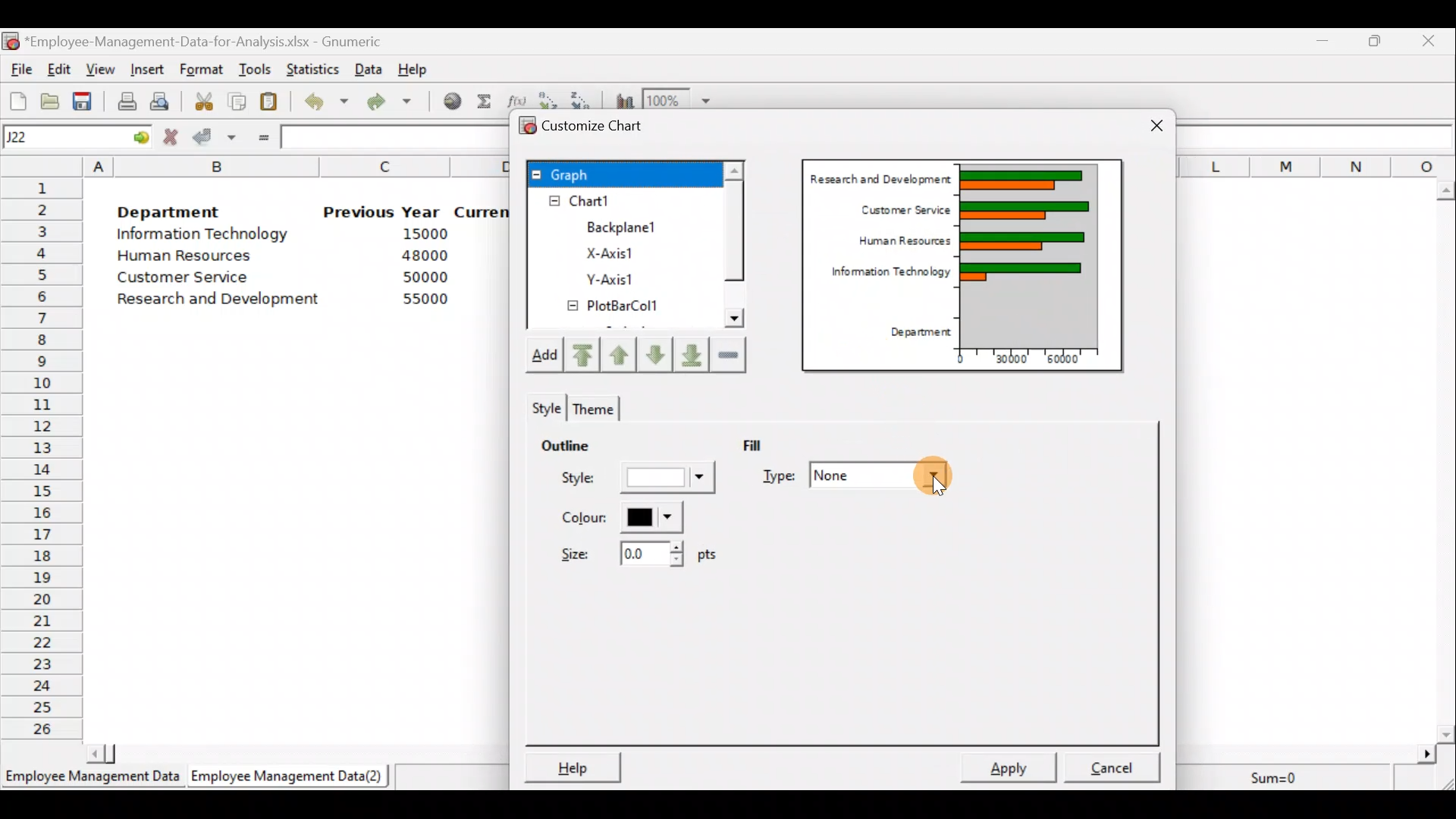 This screenshot has width=1456, height=819. I want to click on Insert a chart, so click(622, 99).